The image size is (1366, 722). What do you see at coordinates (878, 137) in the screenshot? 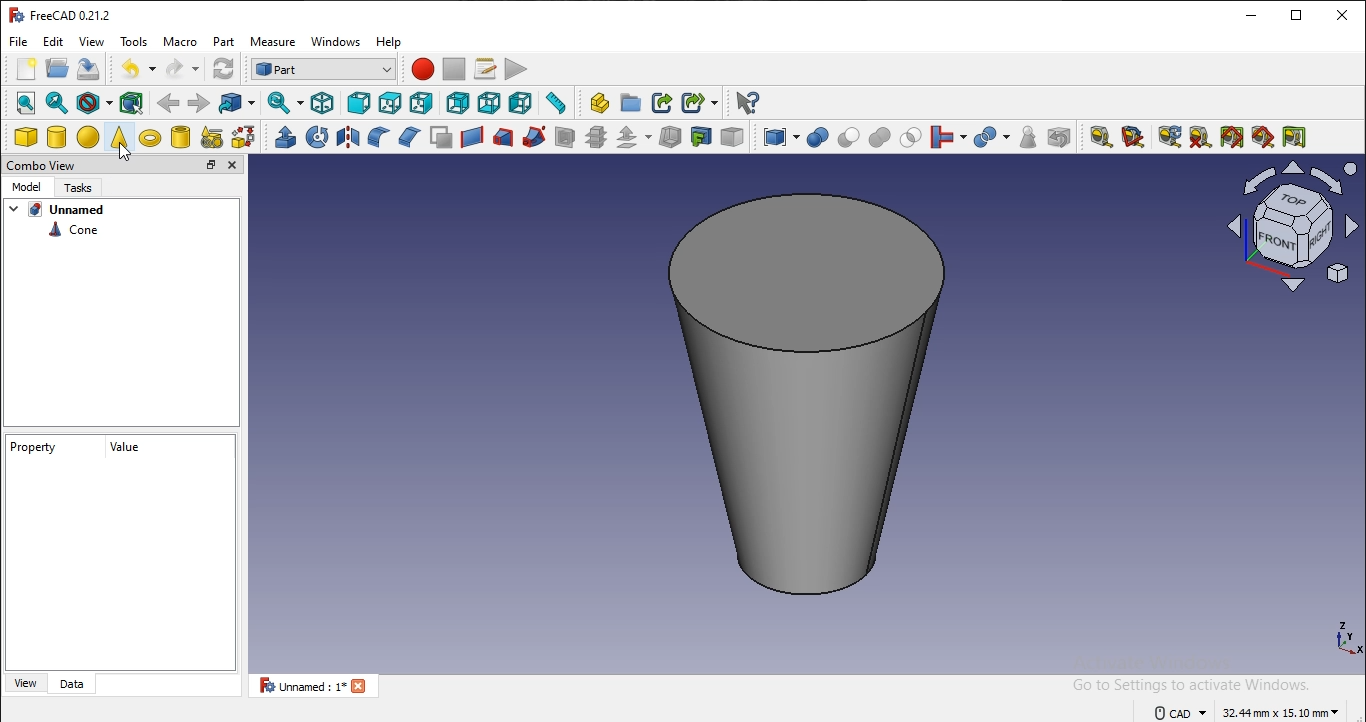
I see `union` at bounding box center [878, 137].